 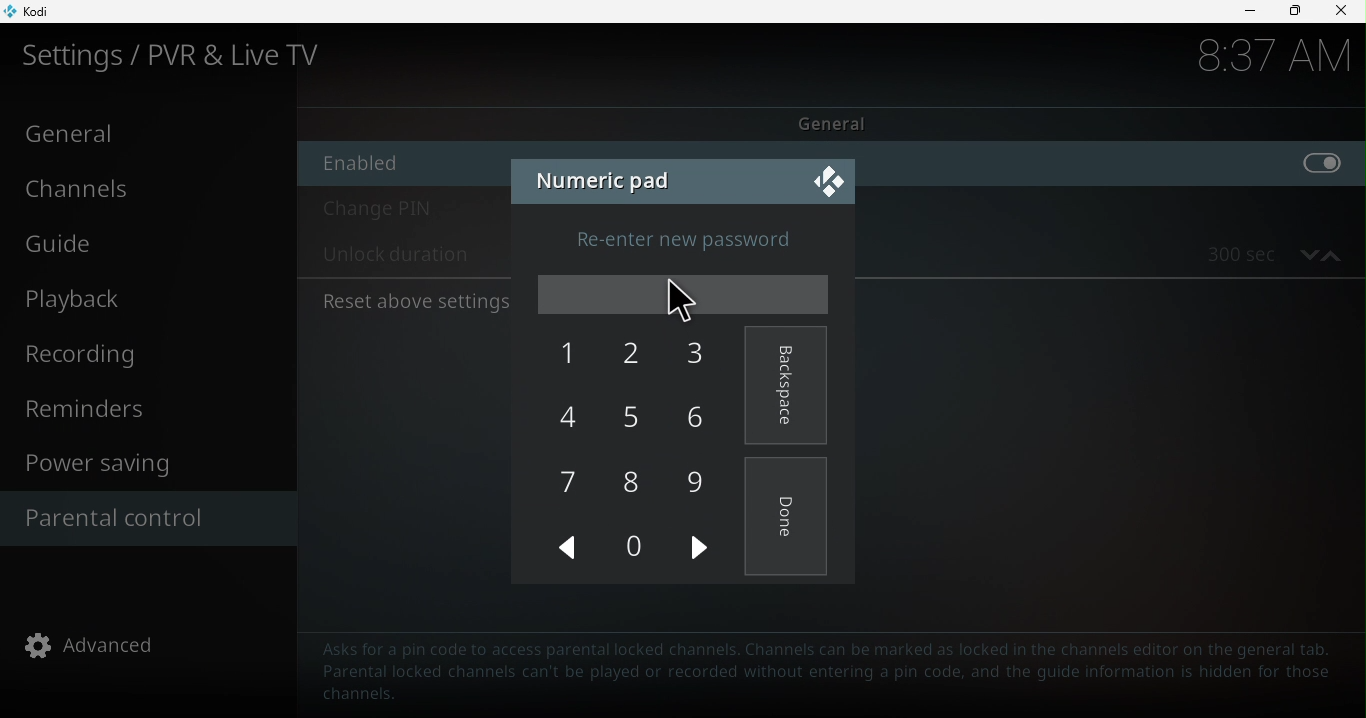 I want to click on Channels, so click(x=142, y=187).